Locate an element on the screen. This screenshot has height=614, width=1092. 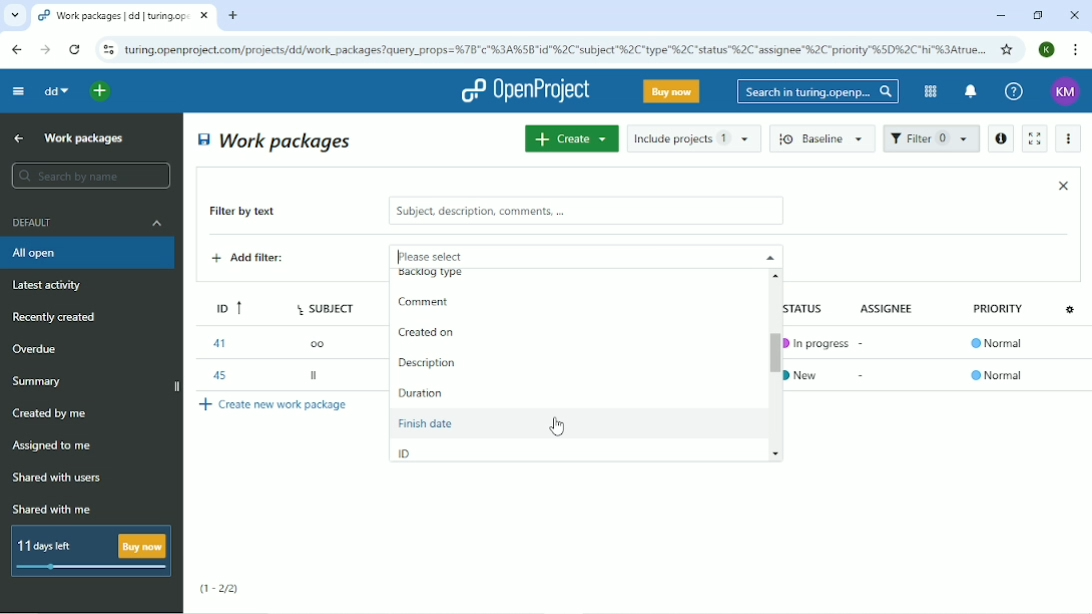
- is located at coordinates (863, 375).